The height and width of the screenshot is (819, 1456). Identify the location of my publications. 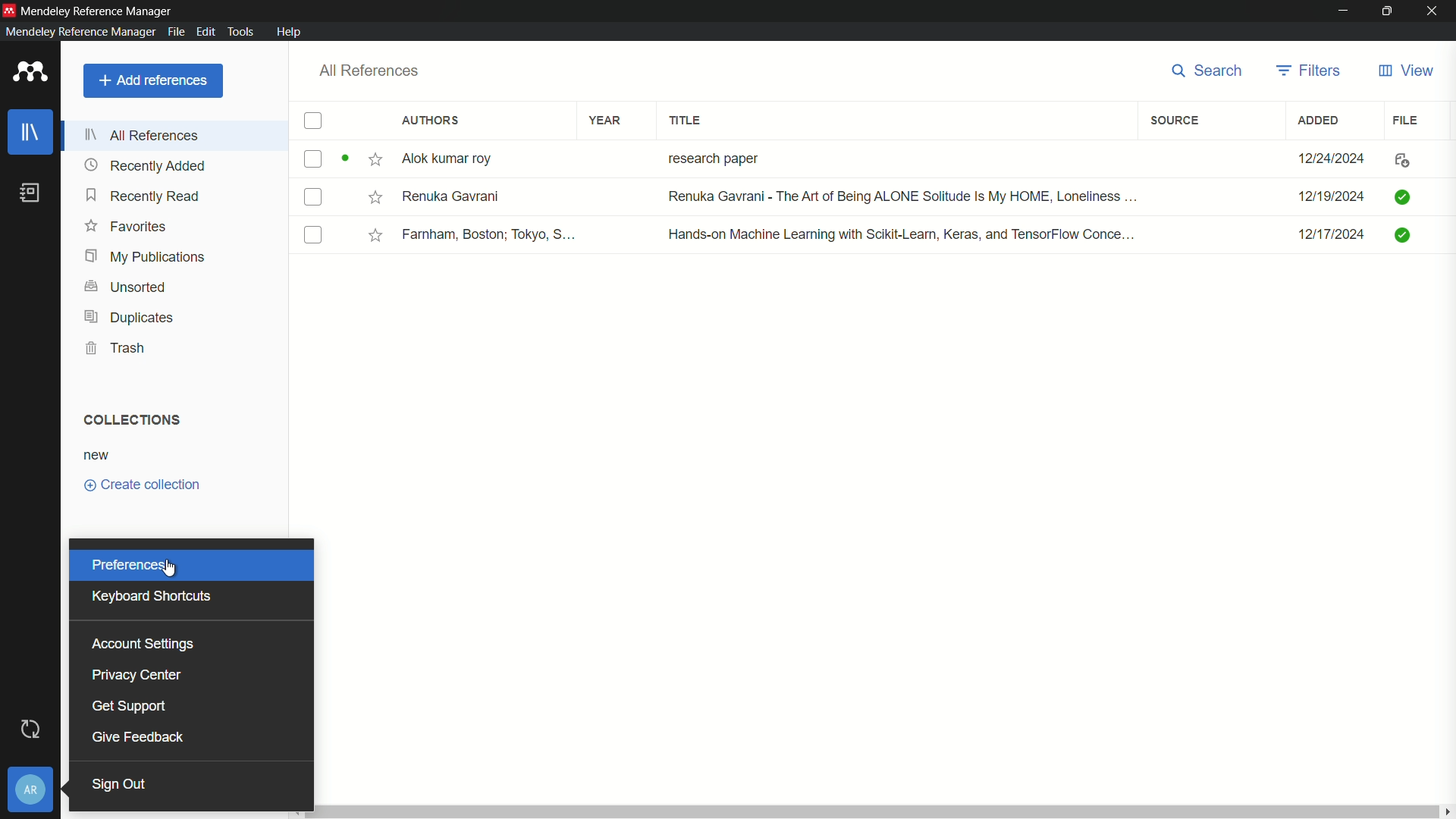
(145, 257).